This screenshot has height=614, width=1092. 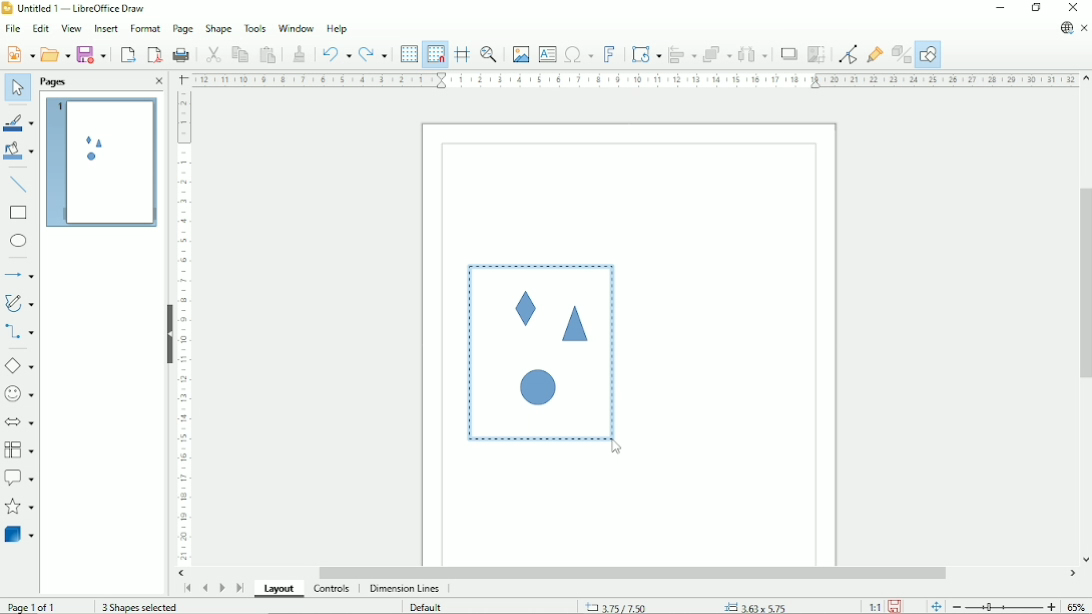 What do you see at coordinates (646, 55) in the screenshot?
I see `Transformations` at bounding box center [646, 55].